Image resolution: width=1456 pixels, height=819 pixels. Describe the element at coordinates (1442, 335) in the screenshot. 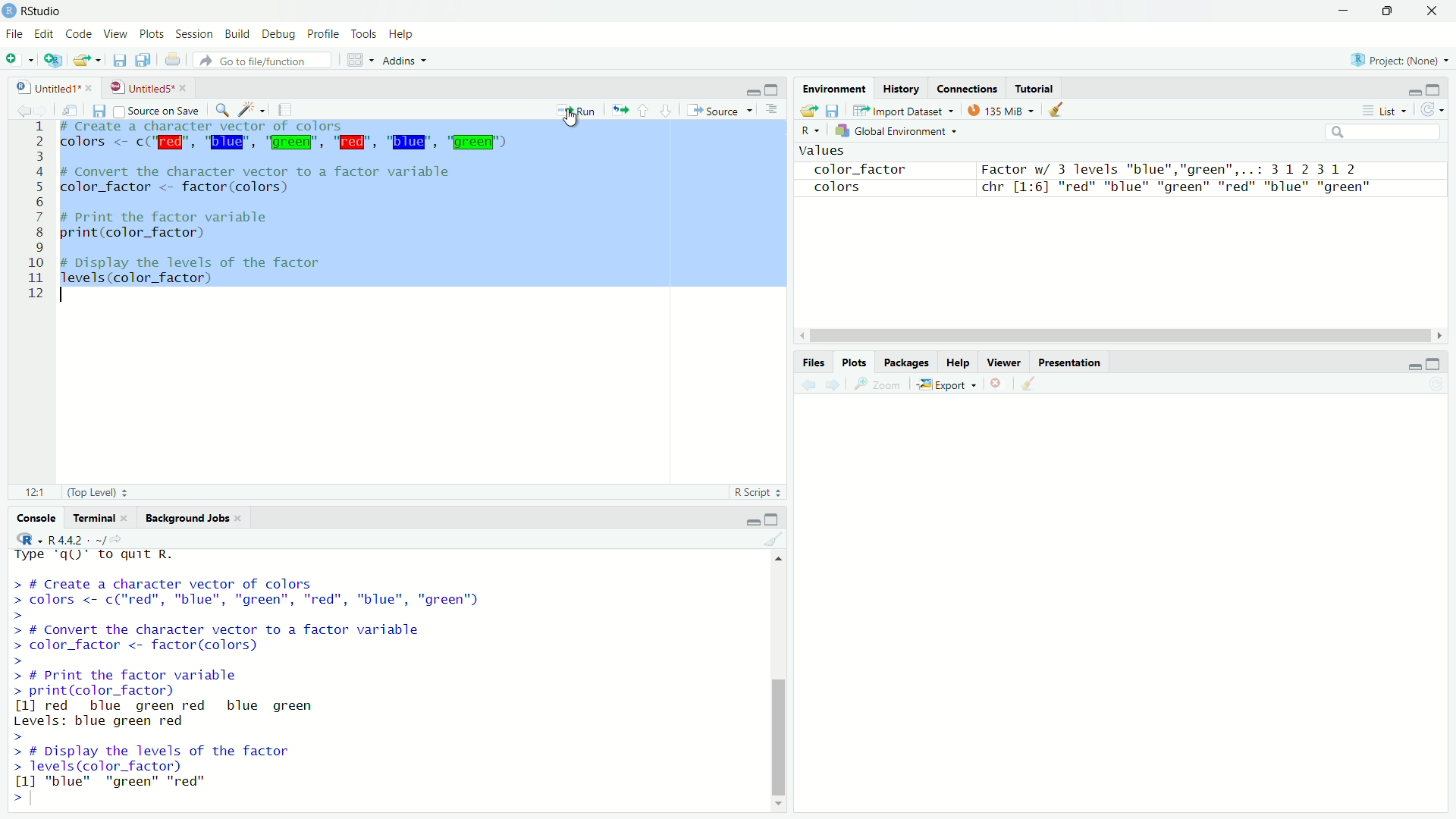

I see `move right` at that location.